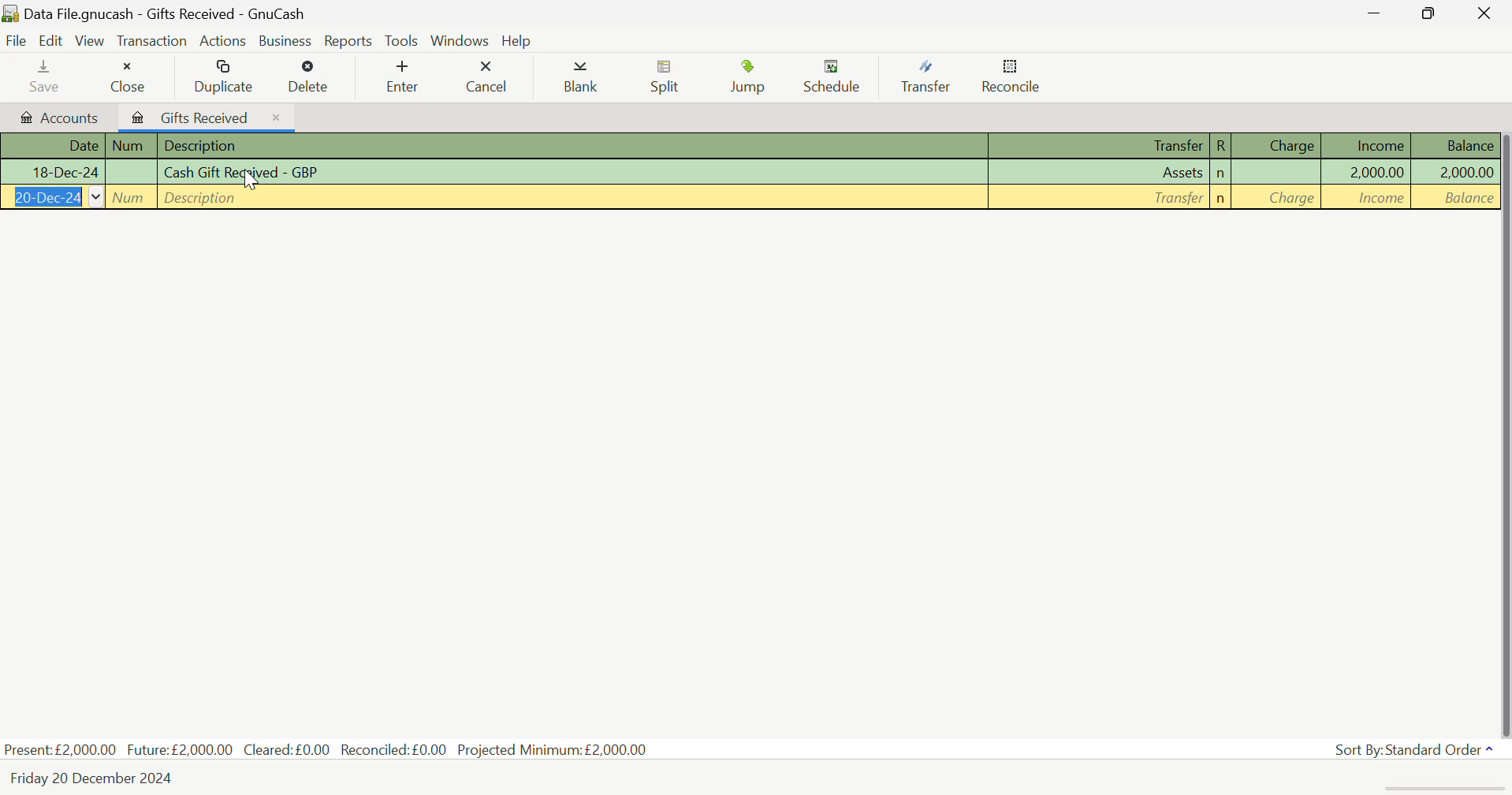 The image size is (1512, 795). What do you see at coordinates (556, 748) in the screenshot?
I see `Projected Minimum` at bounding box center [556, 748].